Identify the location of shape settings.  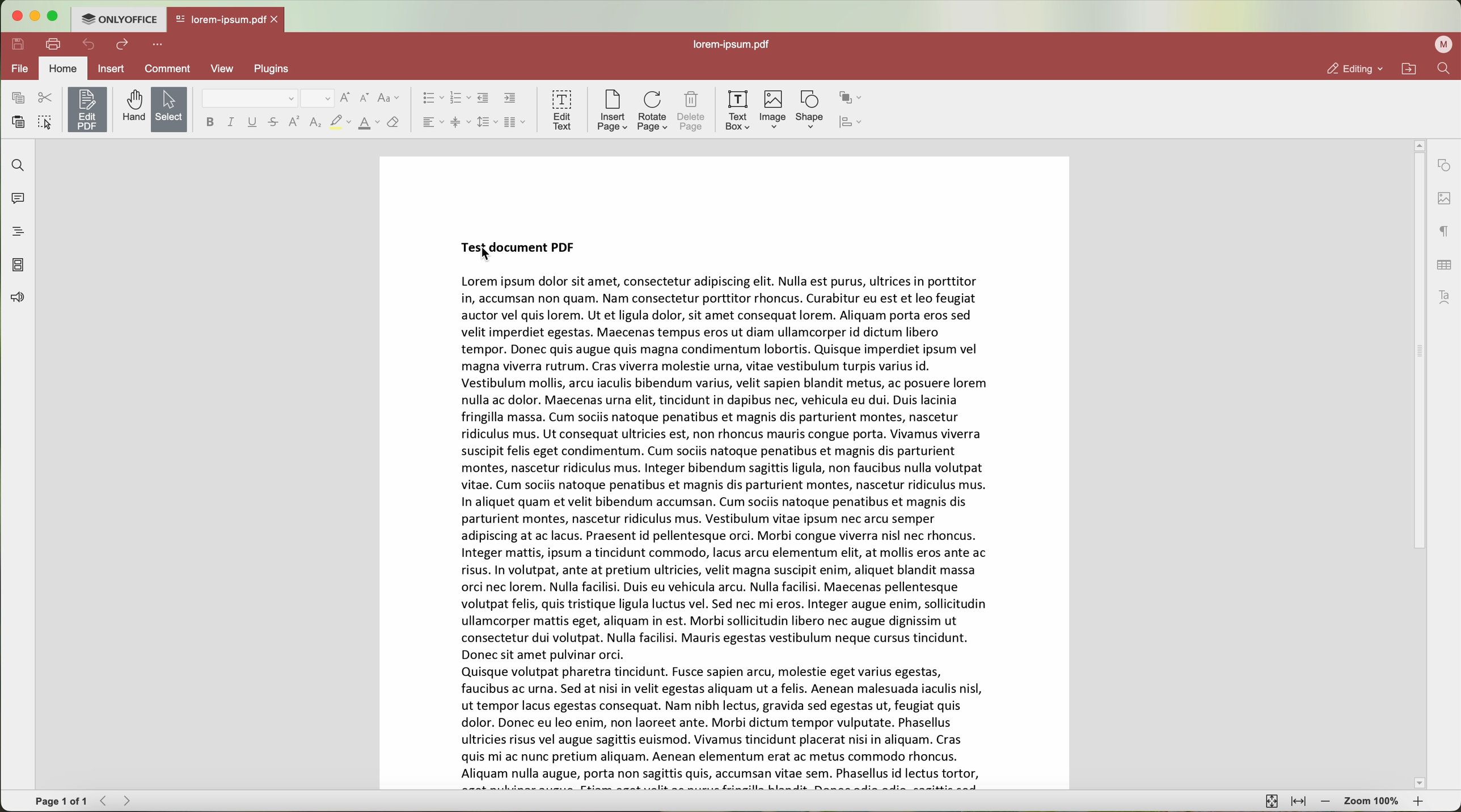
(1445, 167).